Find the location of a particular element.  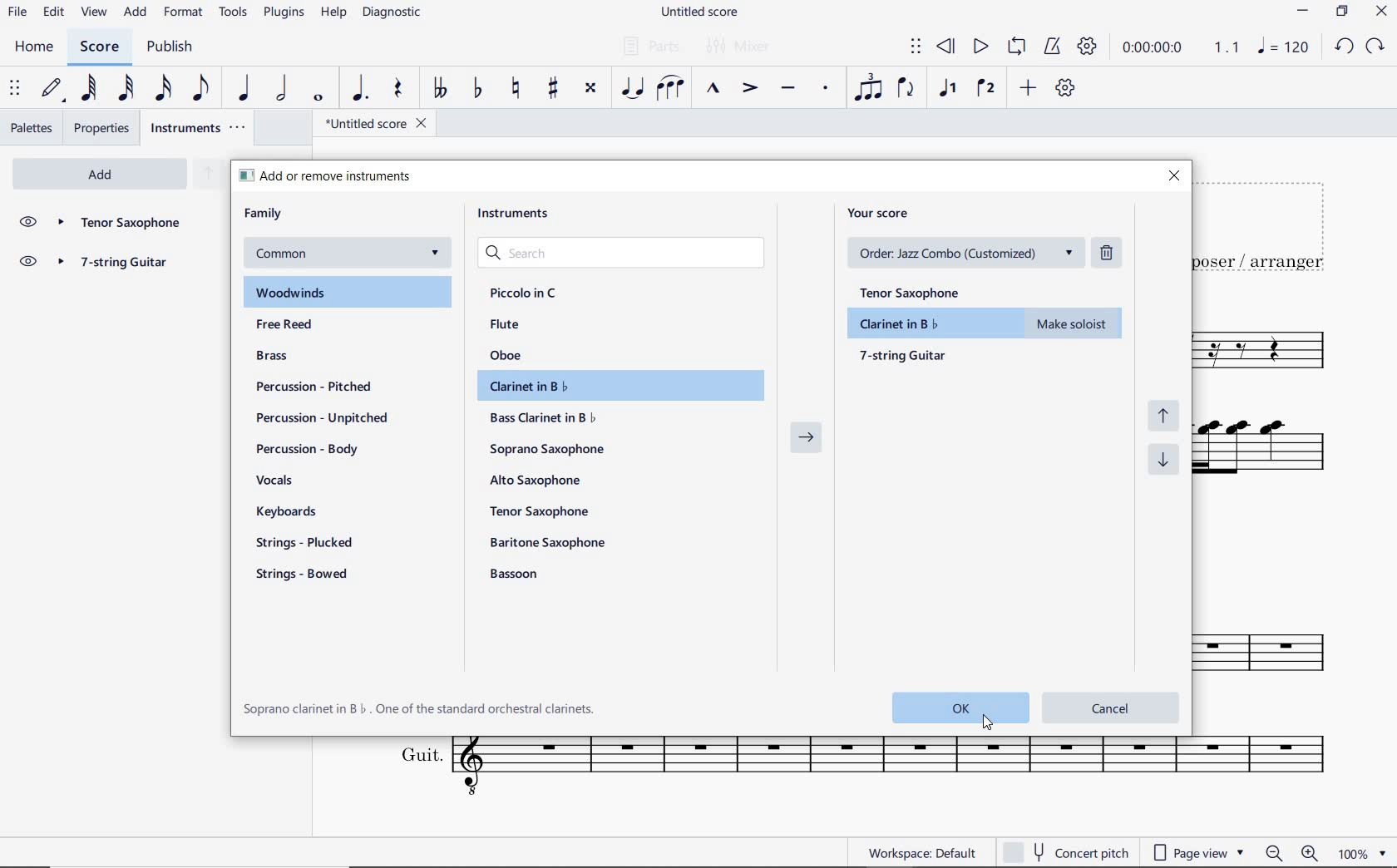

delete is located at coordinates (1109, 252).